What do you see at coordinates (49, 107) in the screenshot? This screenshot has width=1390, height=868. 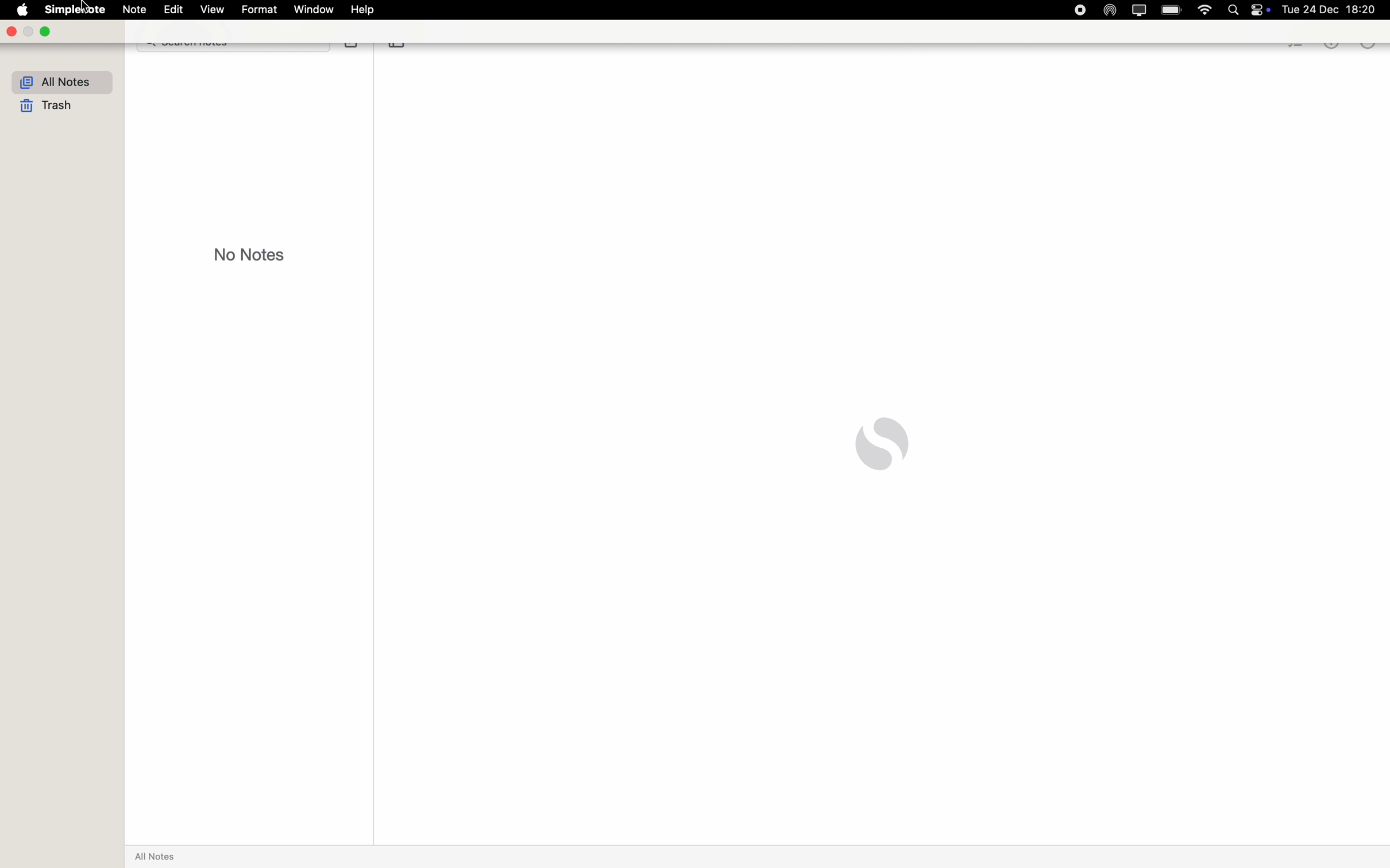 I see `trash` at bounding box center [49, 107].